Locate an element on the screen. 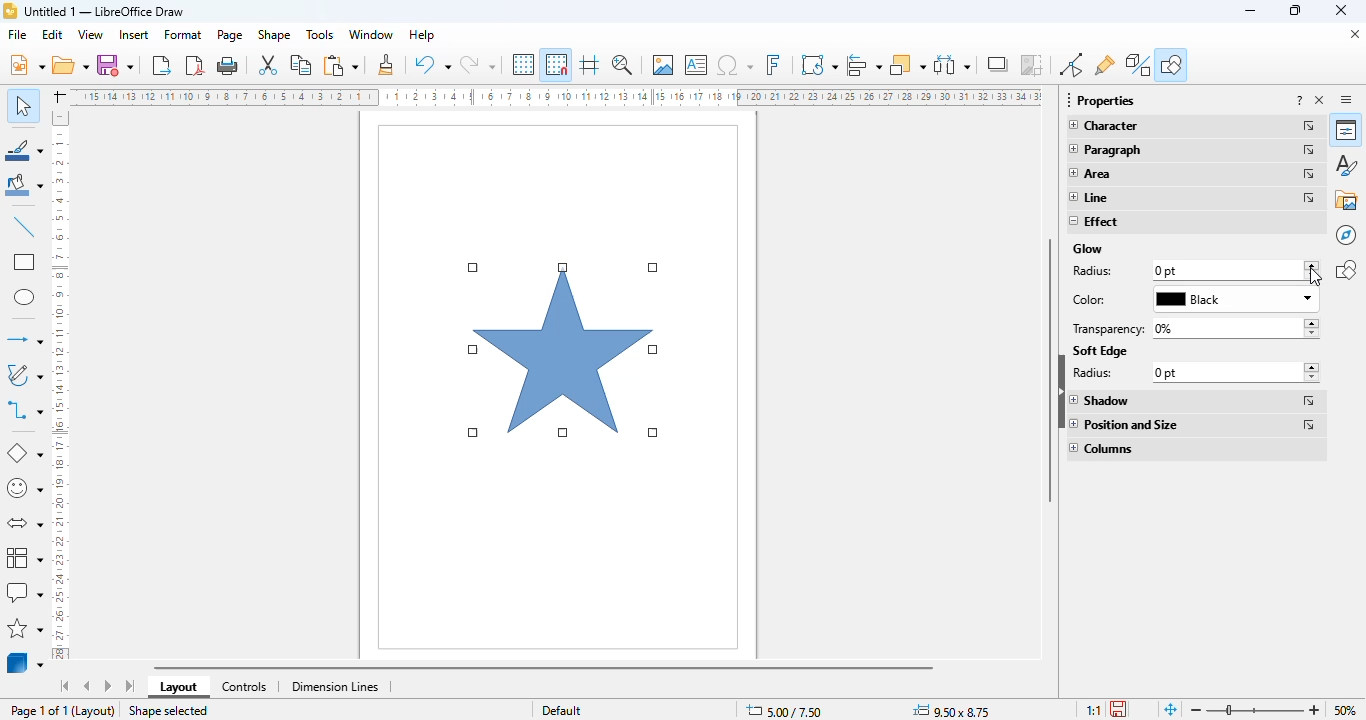  zoom factor is located at coordinates (1344, 708).